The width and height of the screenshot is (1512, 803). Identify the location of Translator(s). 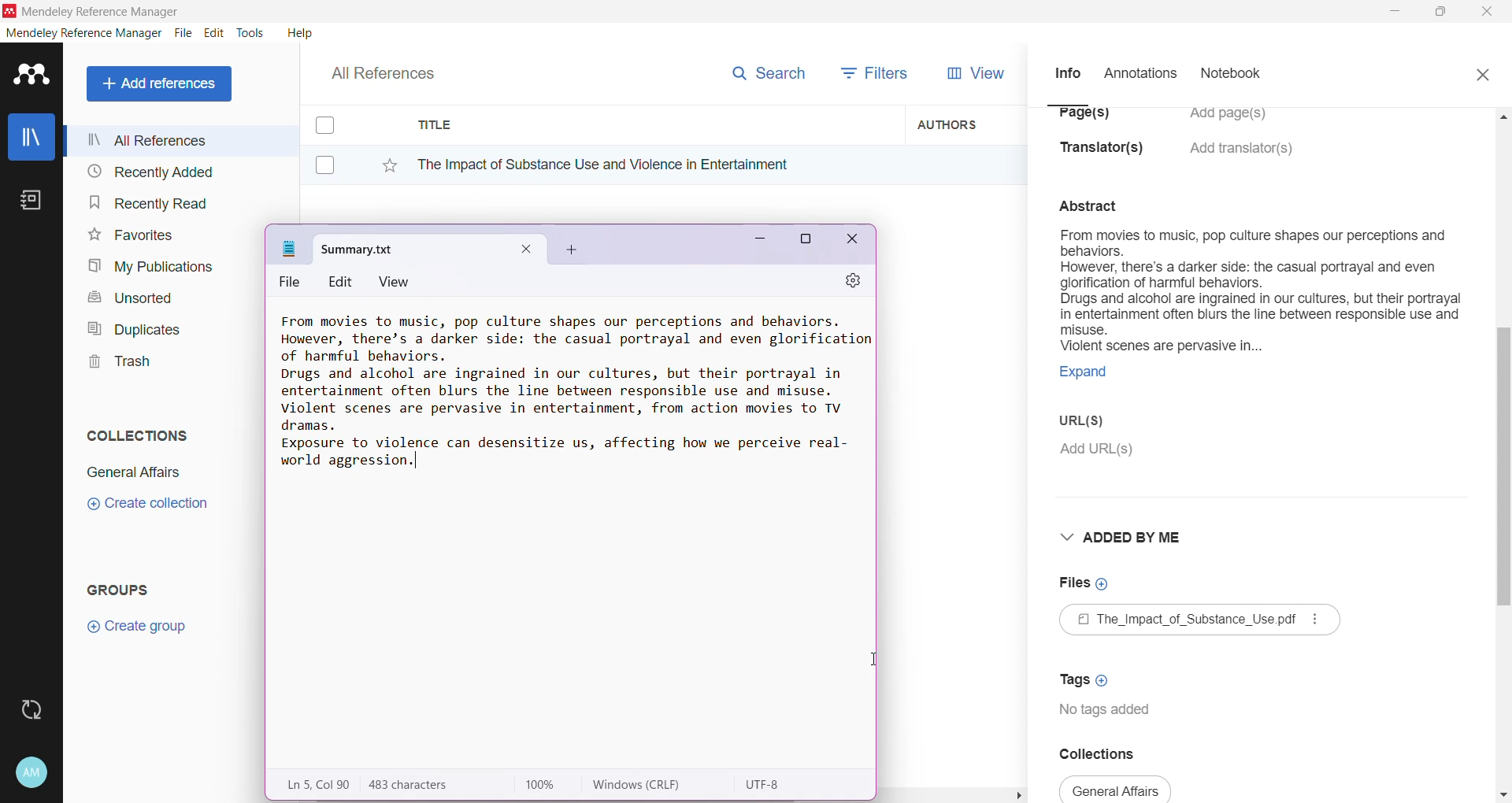
(1106, 155).